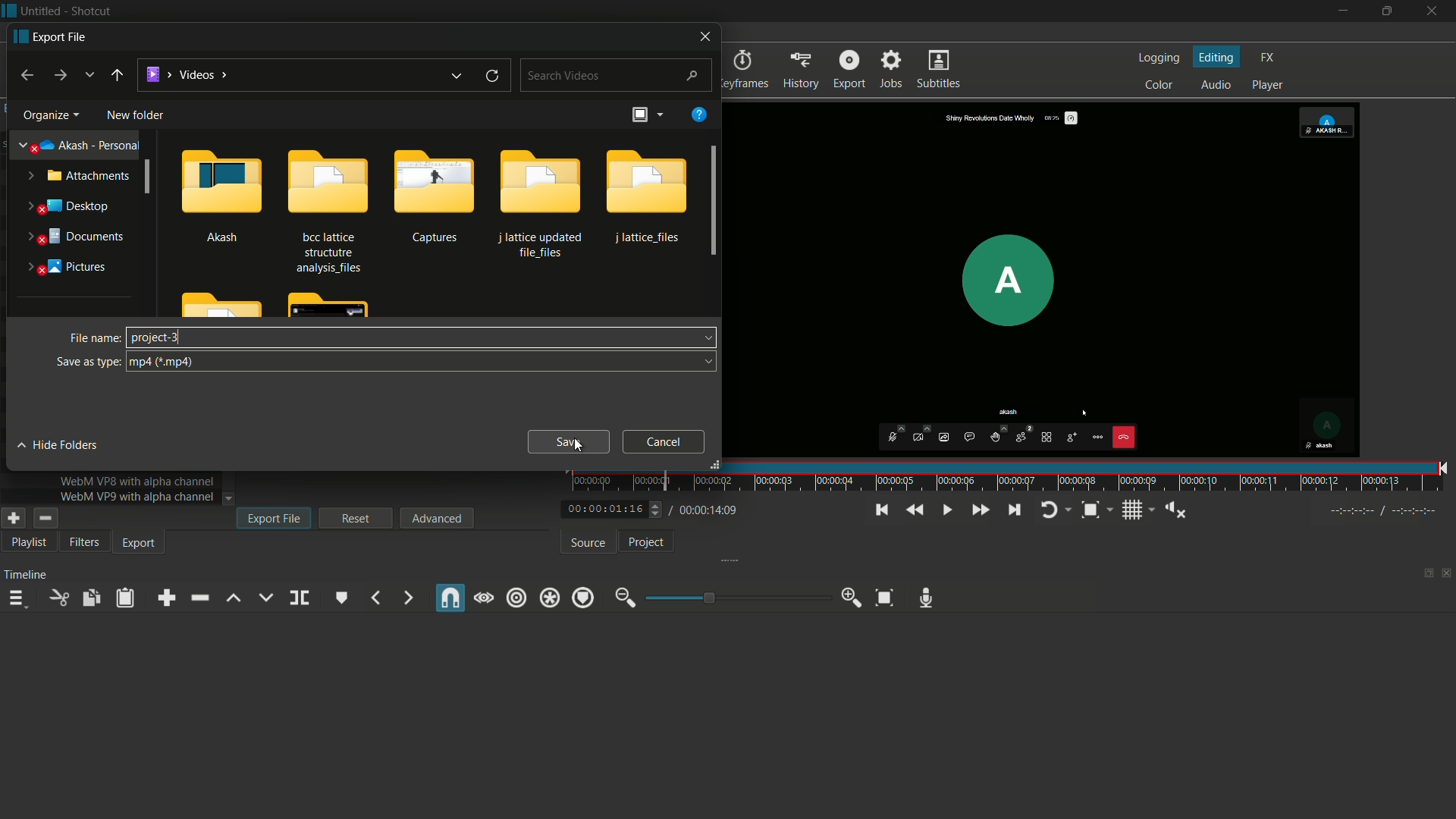  I want to click on toggle play or pause, so click(947, 510).